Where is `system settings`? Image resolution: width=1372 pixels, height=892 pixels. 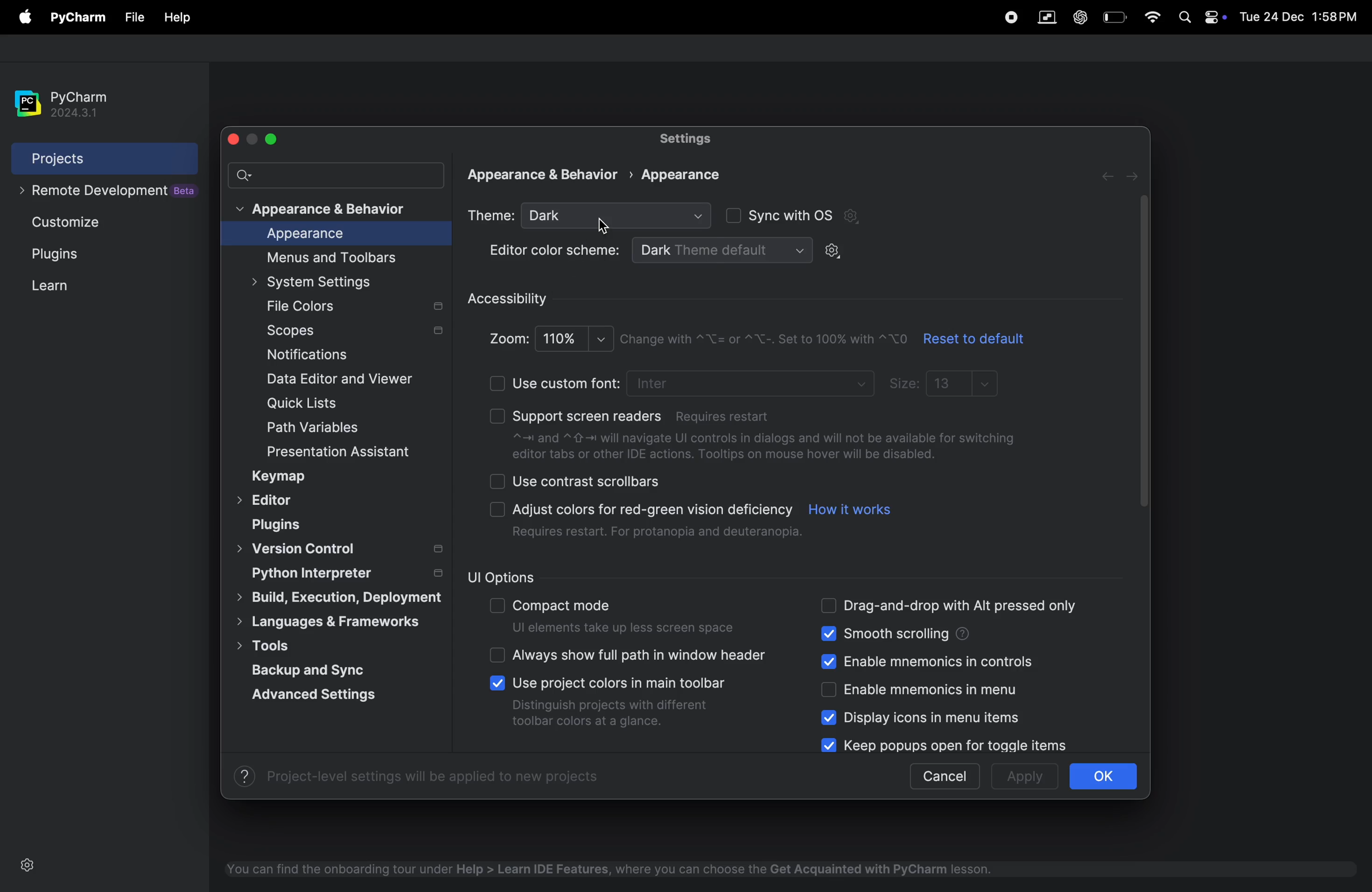
system settings is located at coordinates (330, 282).